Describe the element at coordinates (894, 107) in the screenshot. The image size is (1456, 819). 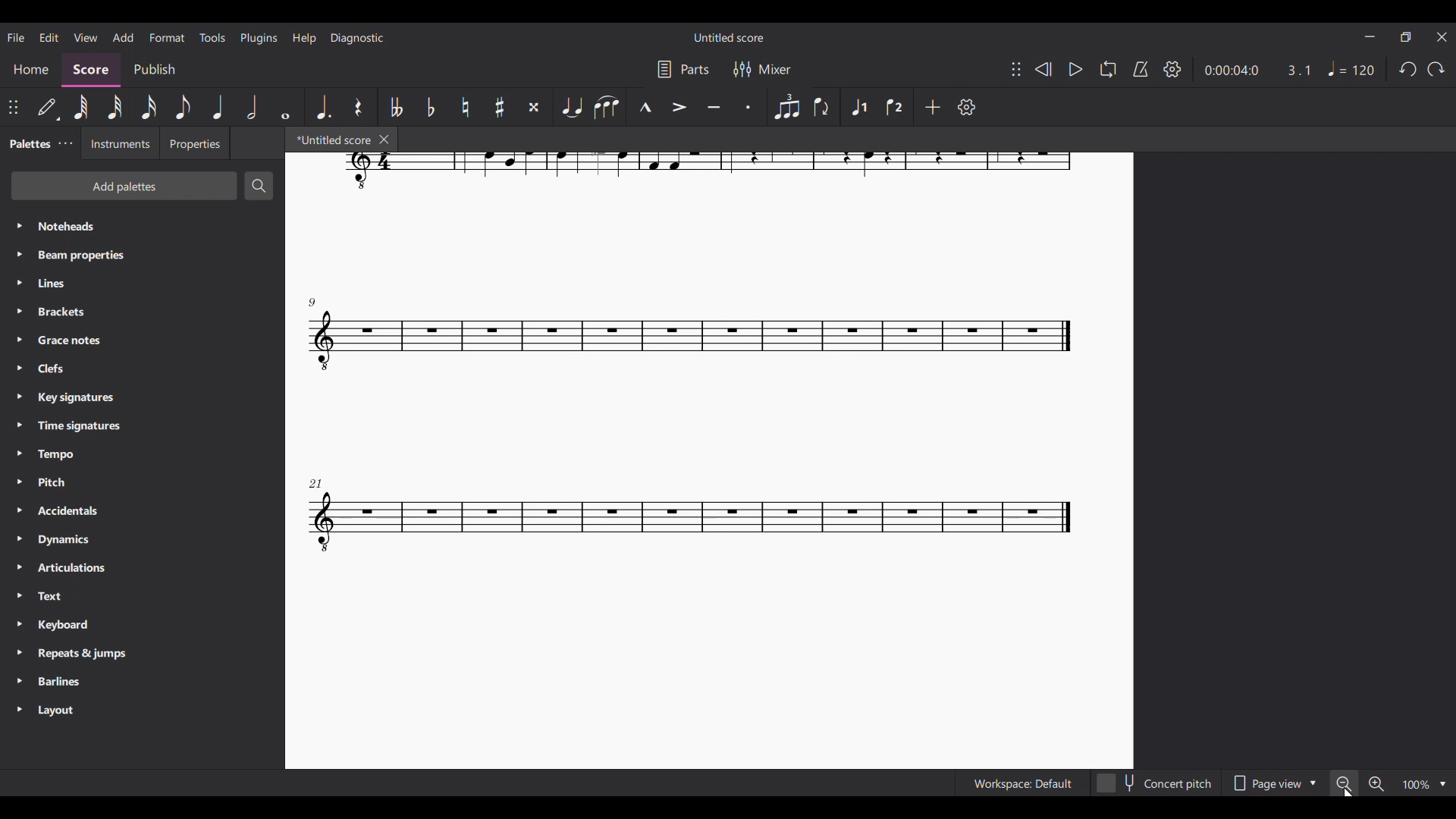
I see `Voice 2` at that location.